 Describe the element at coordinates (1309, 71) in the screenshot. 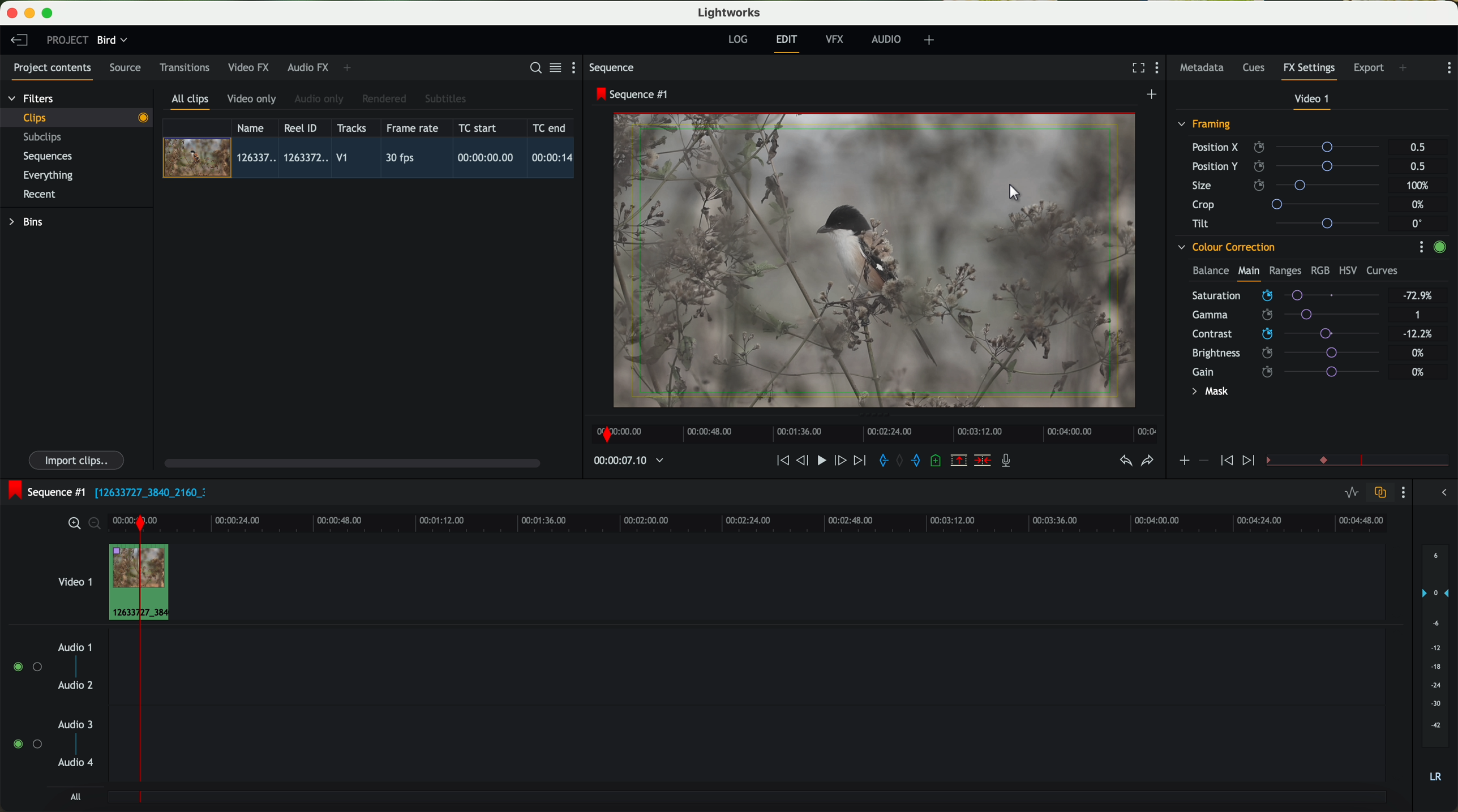

I see `fx settings` at that location.